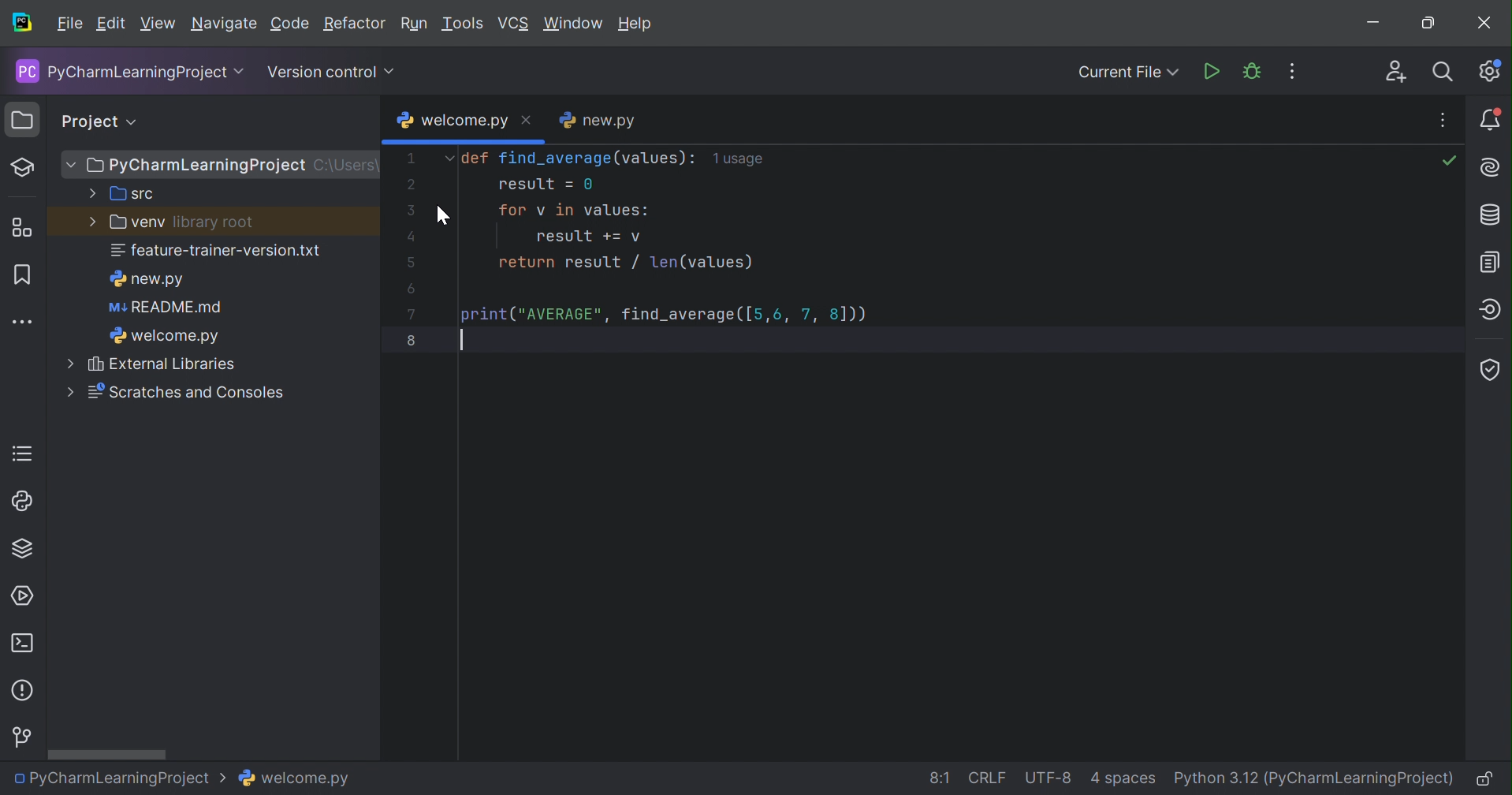  I want to click on VCS, so click(512, 25).